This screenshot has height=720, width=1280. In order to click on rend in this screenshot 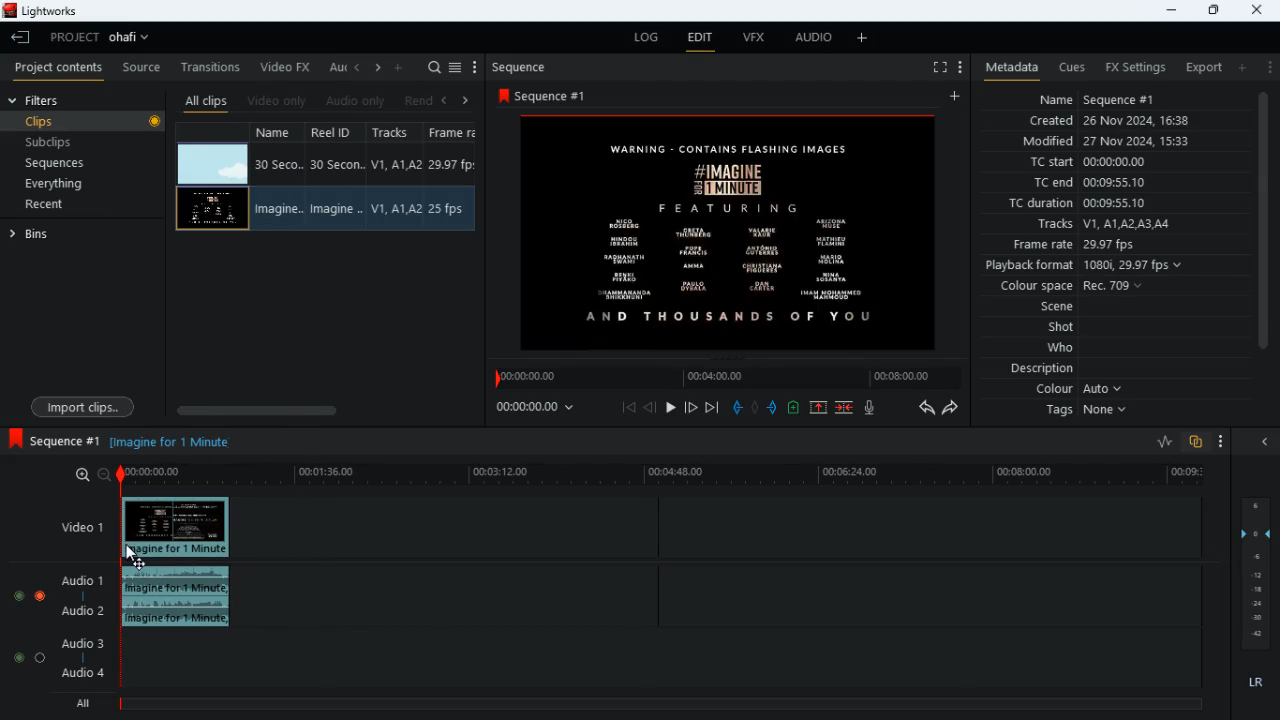, I will do `click(420, 100)`.